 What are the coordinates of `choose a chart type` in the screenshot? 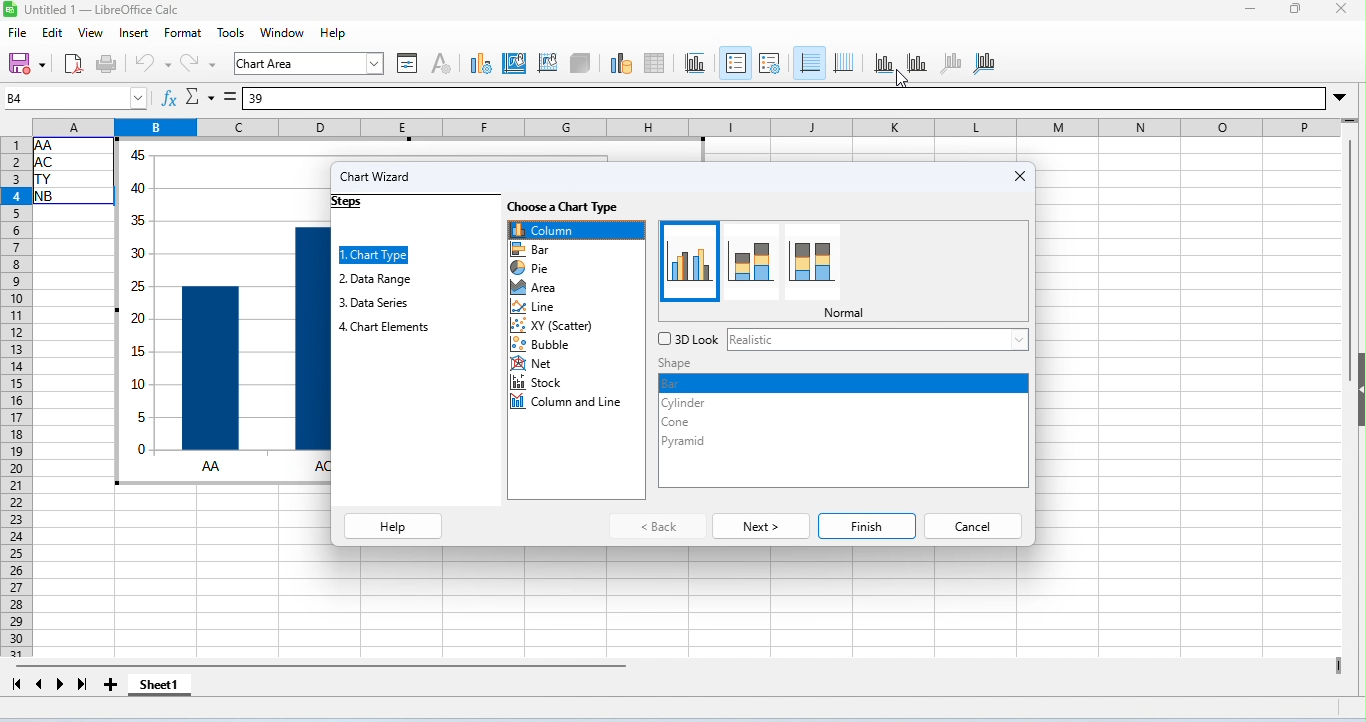 It's located at (564, 207).